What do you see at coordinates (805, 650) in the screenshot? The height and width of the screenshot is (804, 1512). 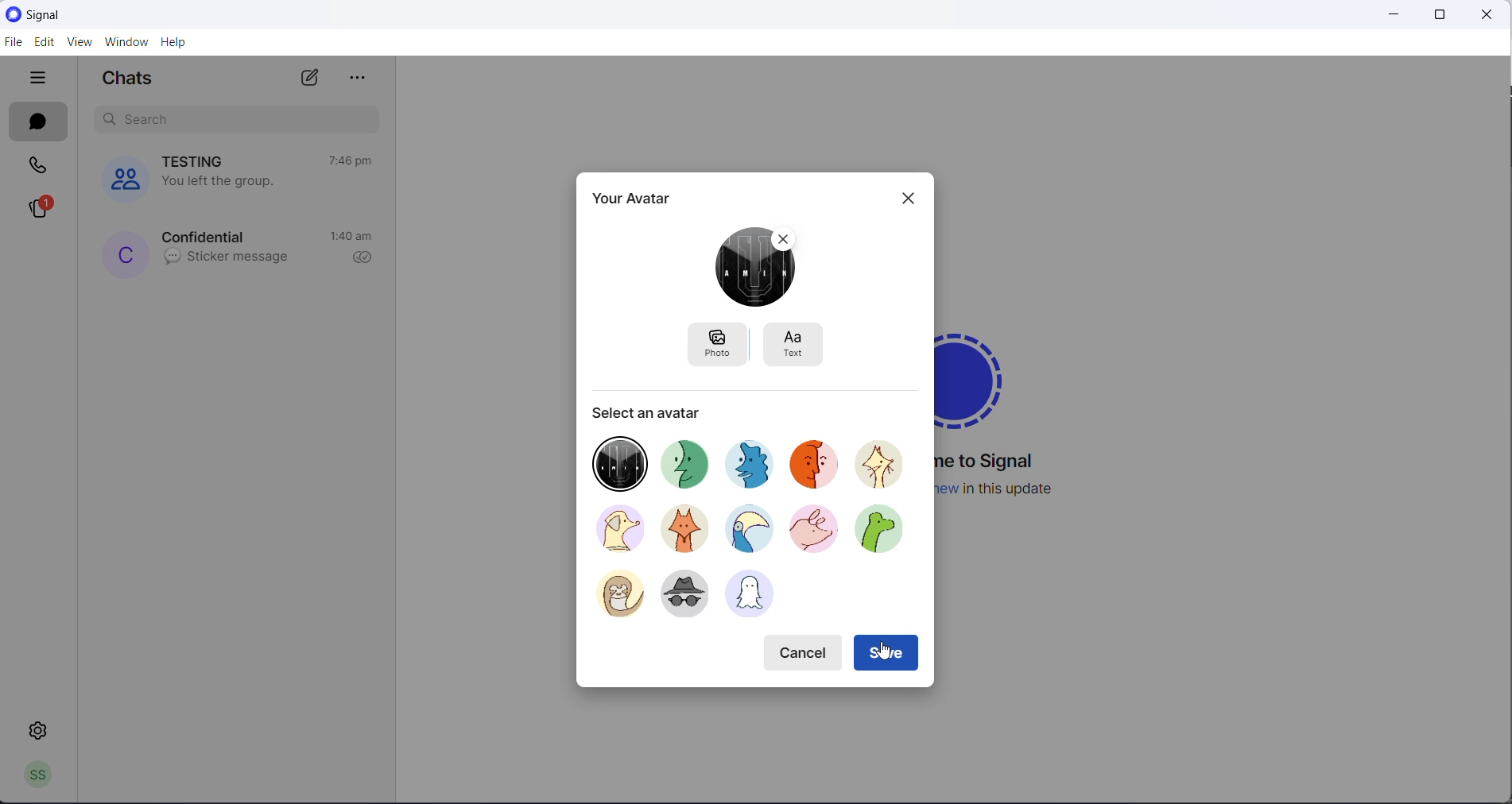 I see `cancel` at bounding box center [805, 650].